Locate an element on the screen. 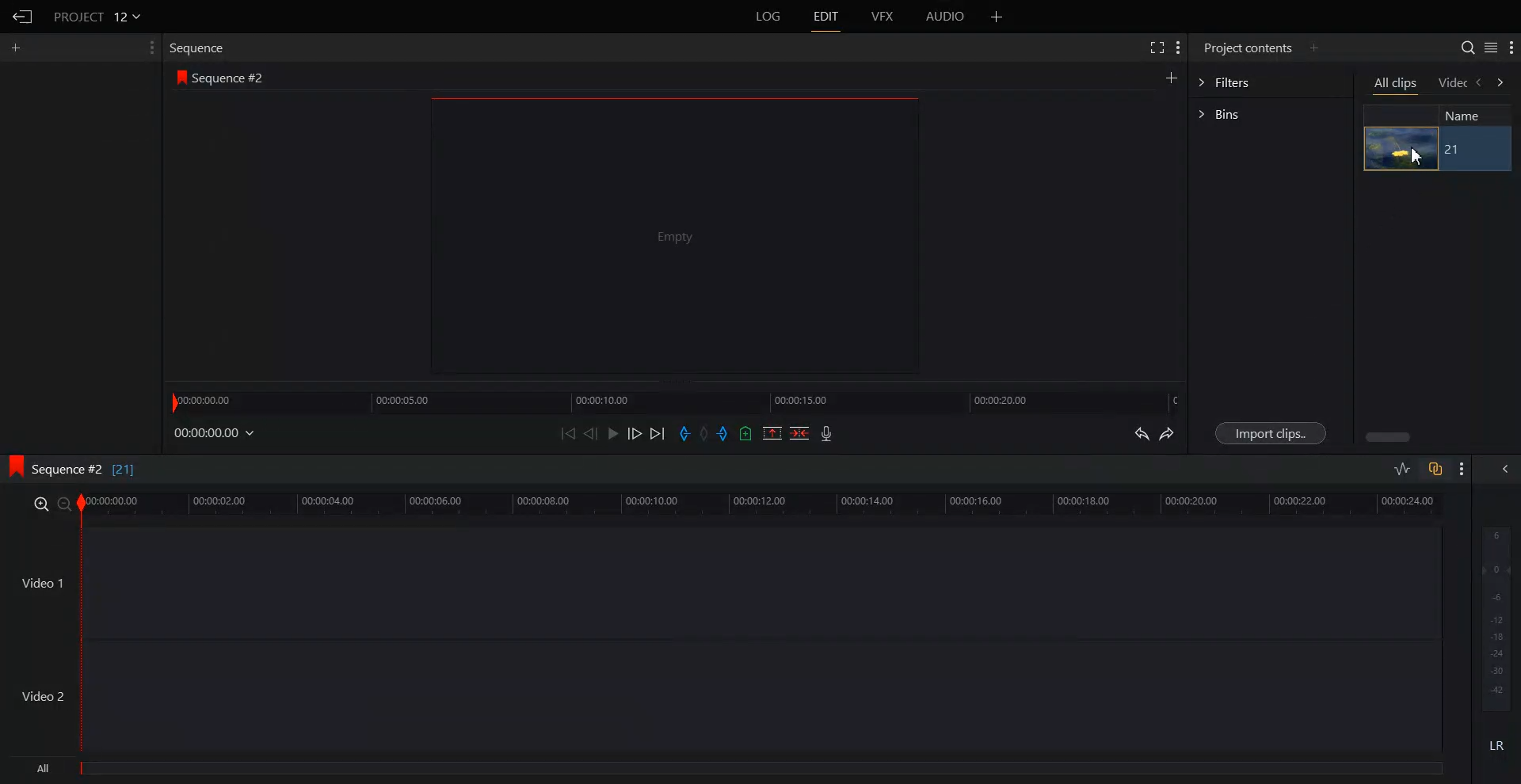  Sequence is located at coordinates (201, 48).